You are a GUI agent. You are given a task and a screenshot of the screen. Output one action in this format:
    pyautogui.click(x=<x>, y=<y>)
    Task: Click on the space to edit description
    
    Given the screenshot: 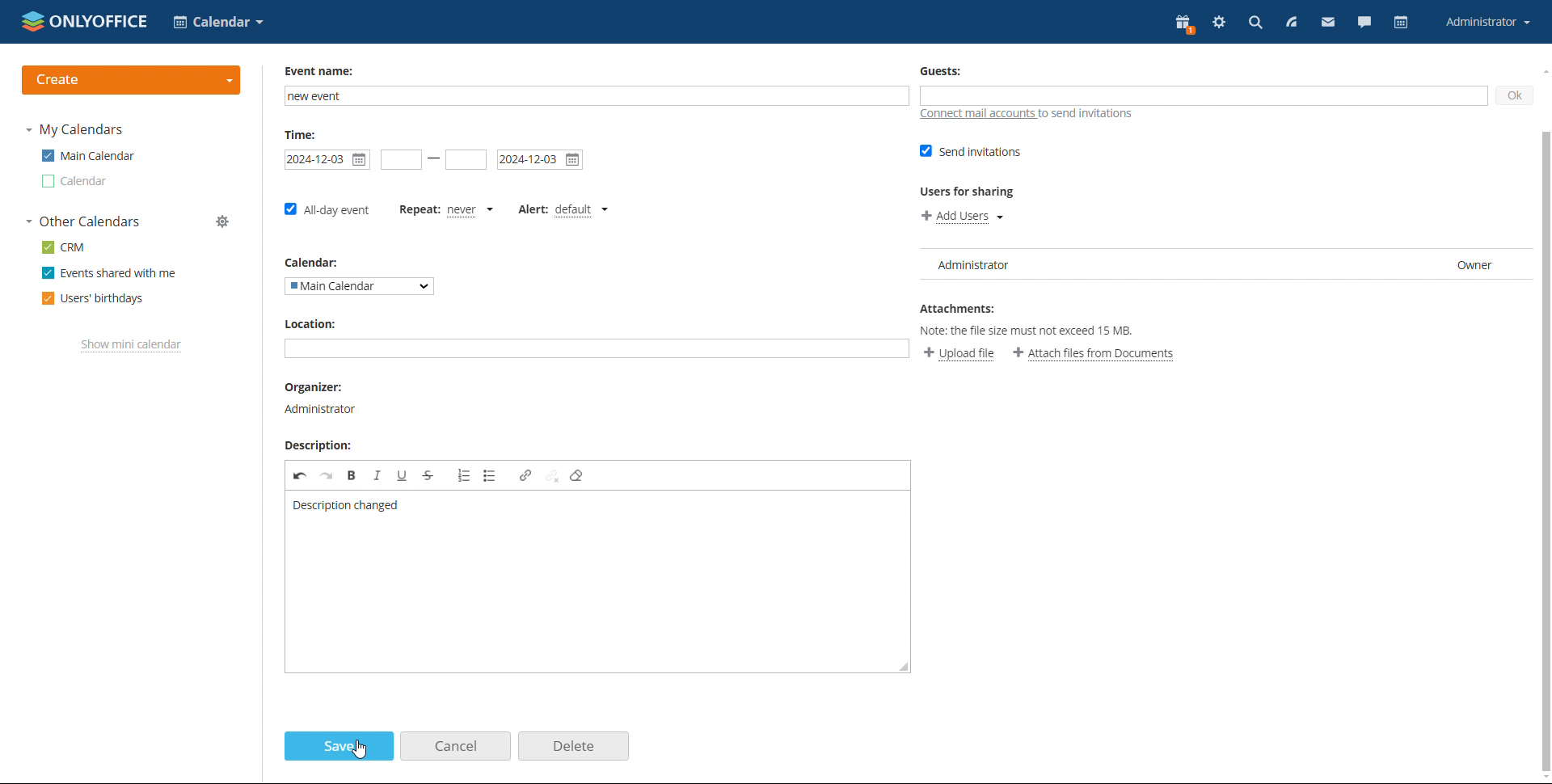 What is the action you would take?
    pyautogui.click(x=590, y=596)
    